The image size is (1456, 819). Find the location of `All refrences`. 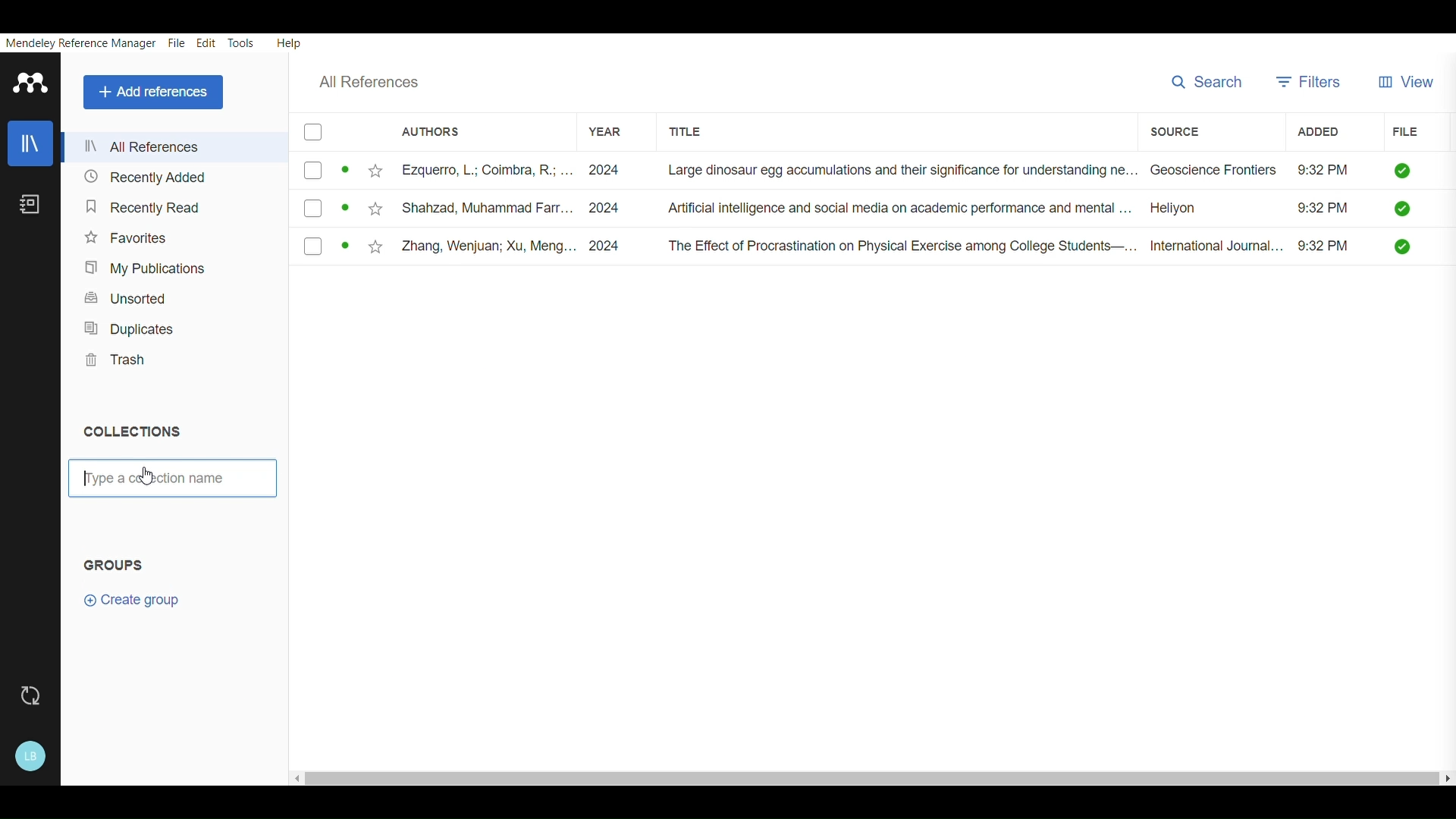

All refrences is located at coordinates (143, 147).